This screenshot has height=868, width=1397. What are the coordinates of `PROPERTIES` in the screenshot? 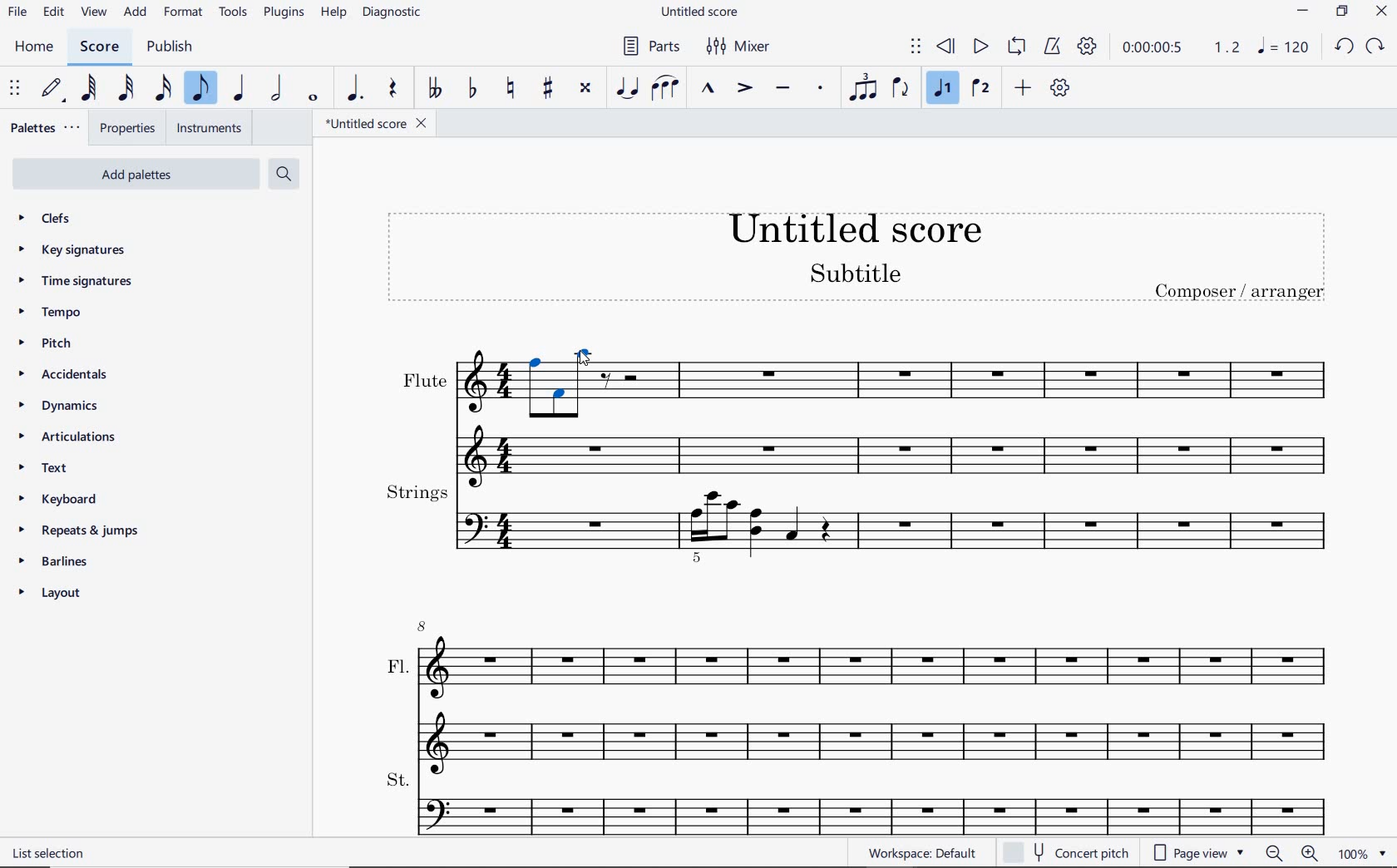 It's located at (131, 126).